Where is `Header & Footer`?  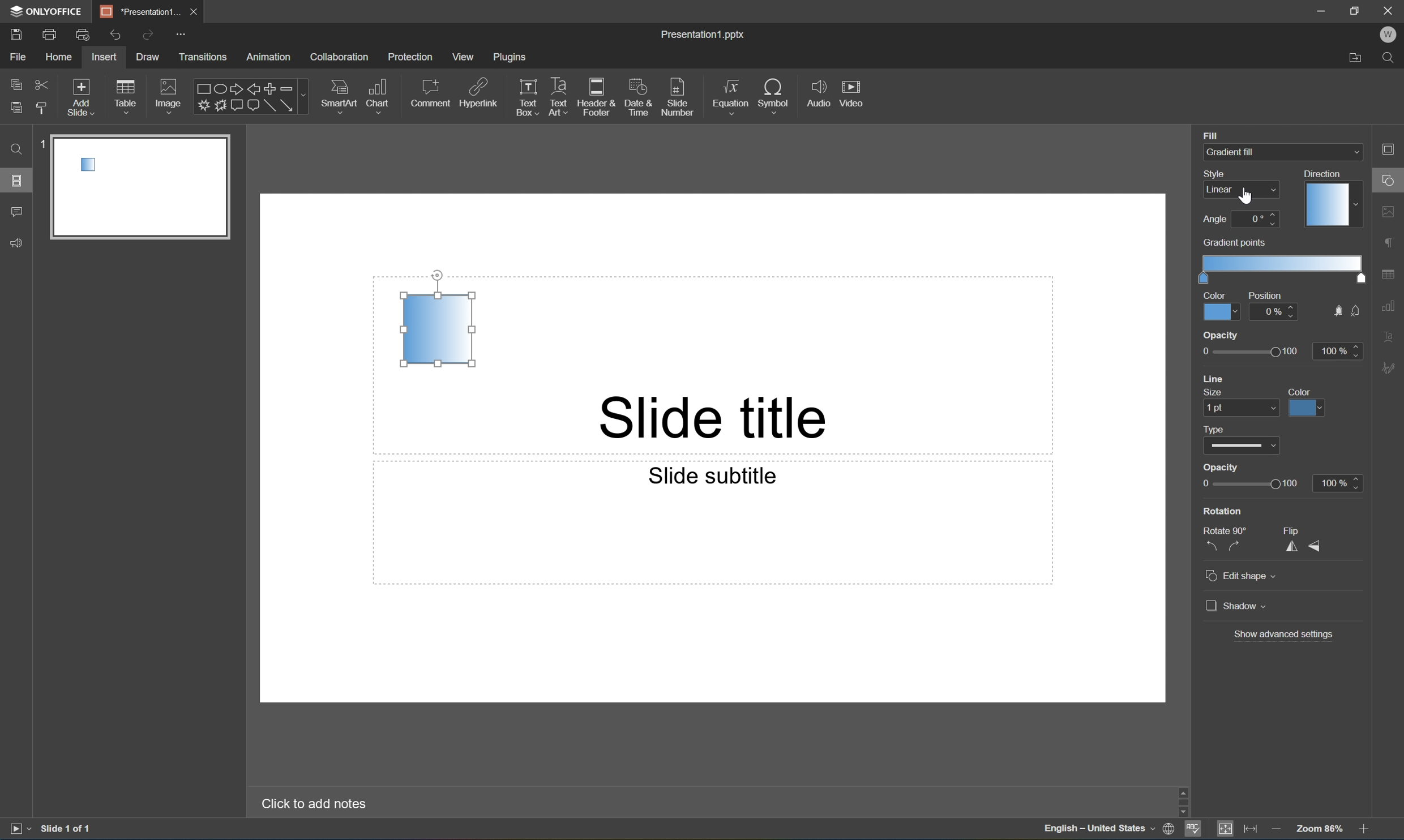 Header & Footer is located at coordinates (596, 97).